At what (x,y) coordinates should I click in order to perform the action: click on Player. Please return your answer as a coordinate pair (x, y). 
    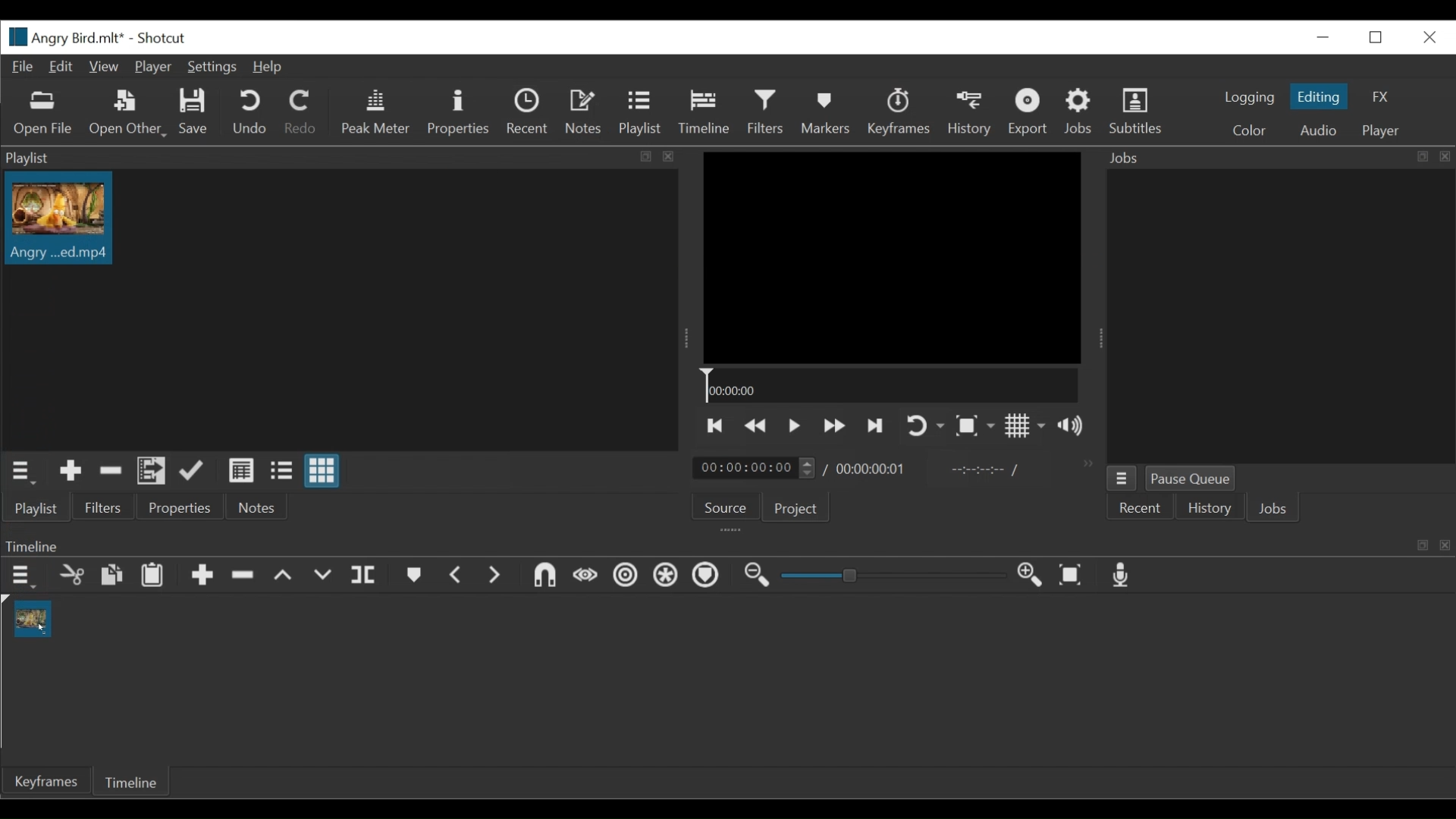
    Looking at the image, I should click on (1382, 132).